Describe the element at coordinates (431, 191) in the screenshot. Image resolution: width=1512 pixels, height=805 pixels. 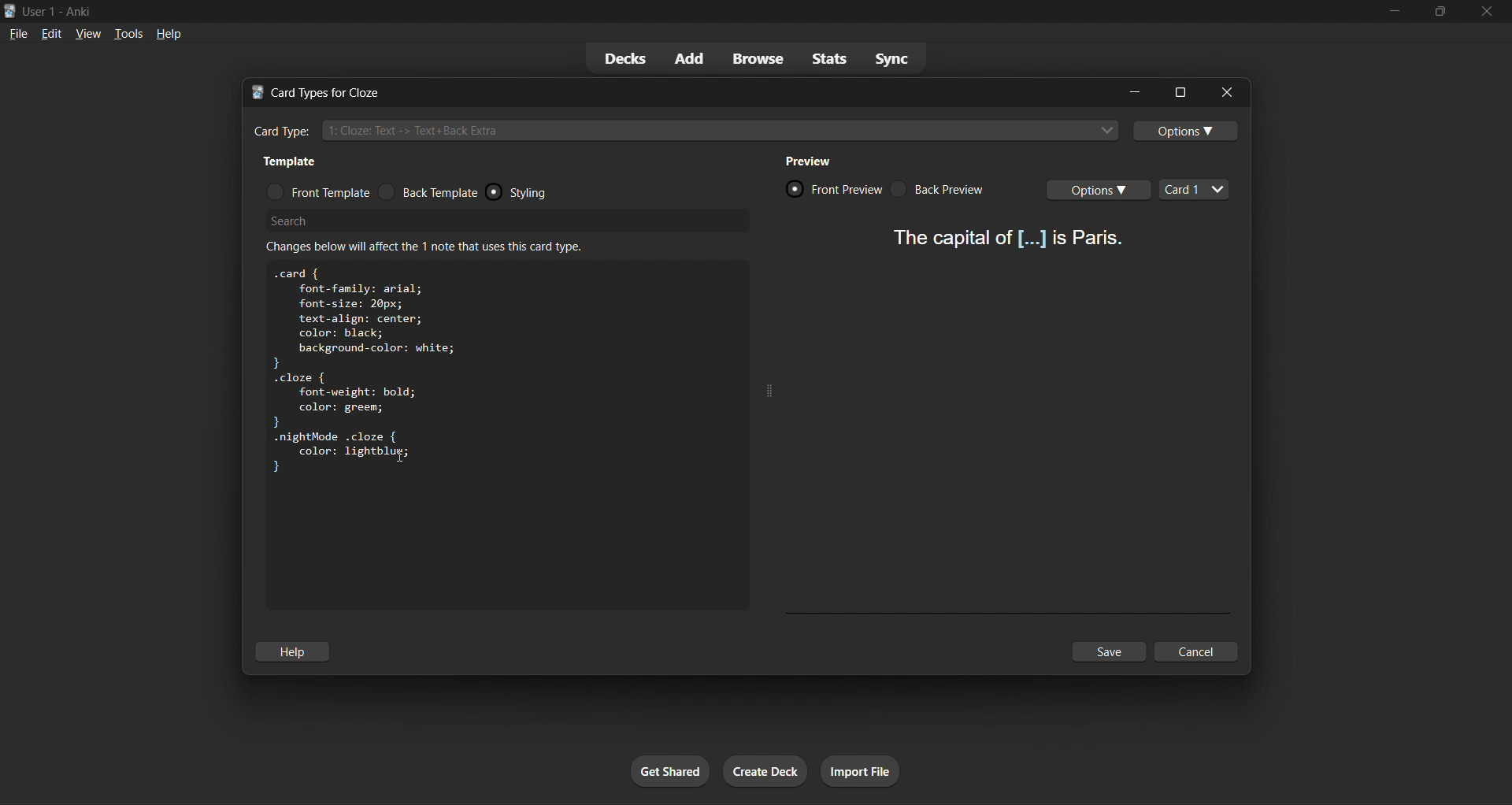
I see `back template radio button` at that location.